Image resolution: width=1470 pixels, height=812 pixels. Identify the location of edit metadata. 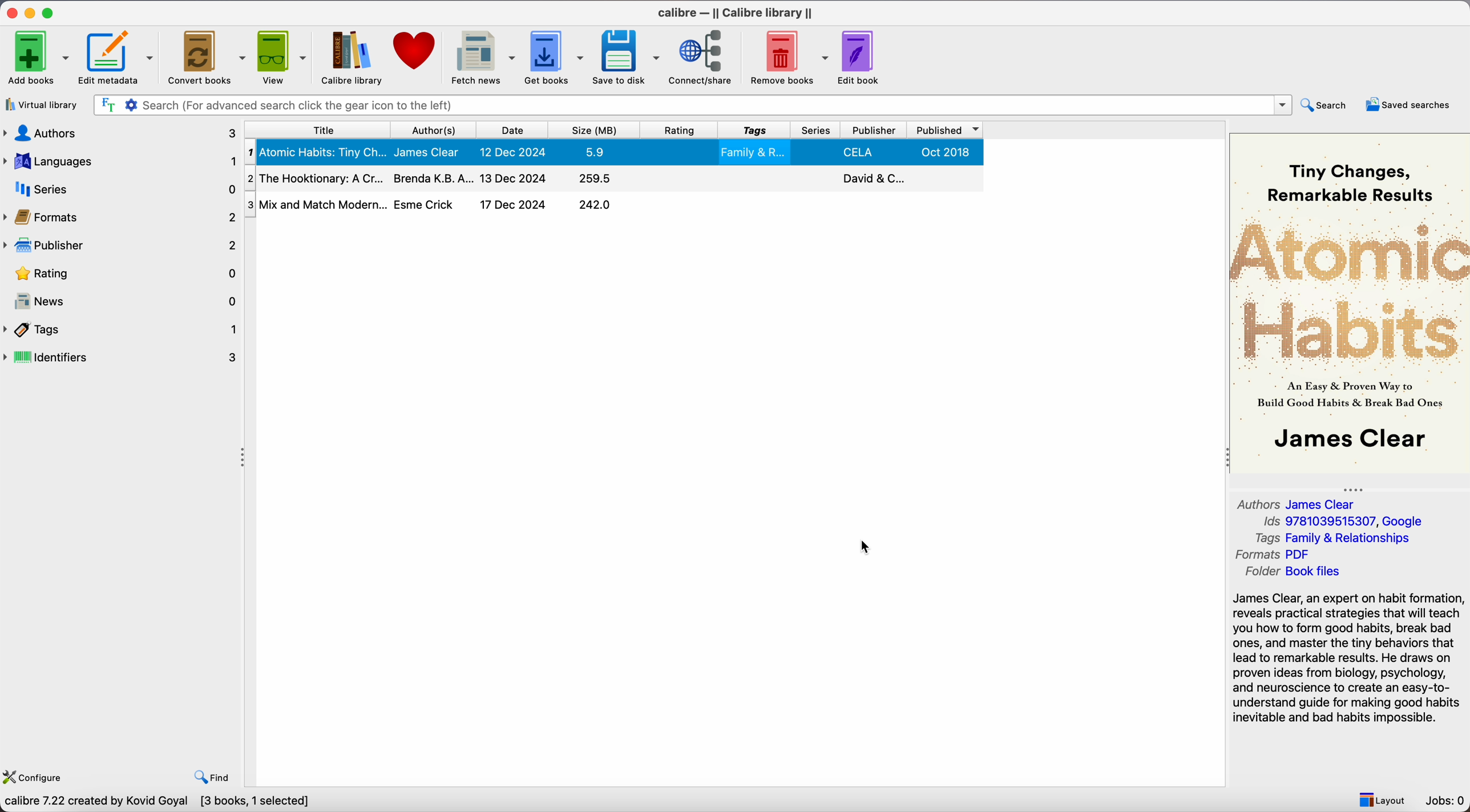
(118, 58).